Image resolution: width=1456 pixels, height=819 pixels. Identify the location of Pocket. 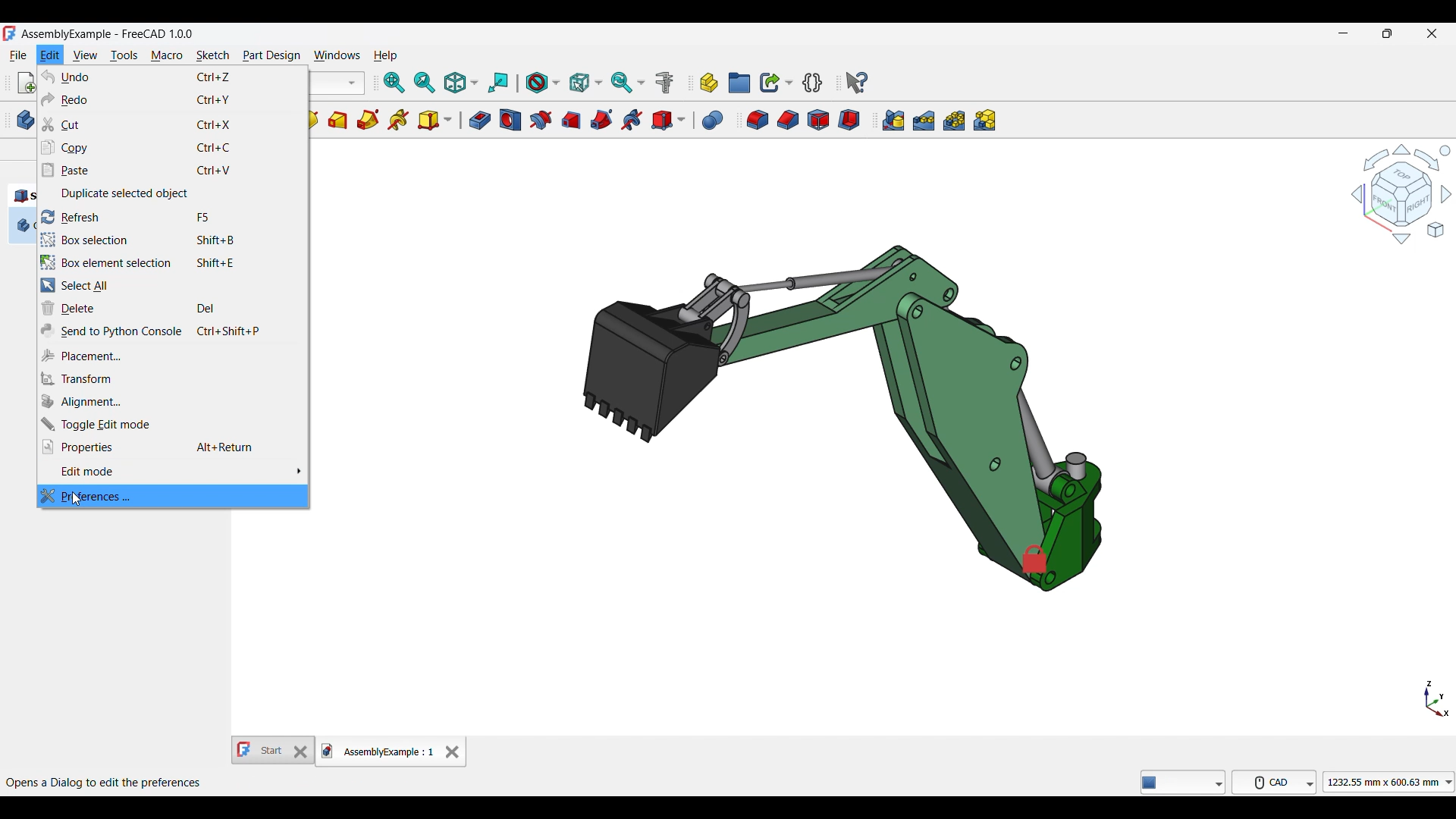
(479, 121).